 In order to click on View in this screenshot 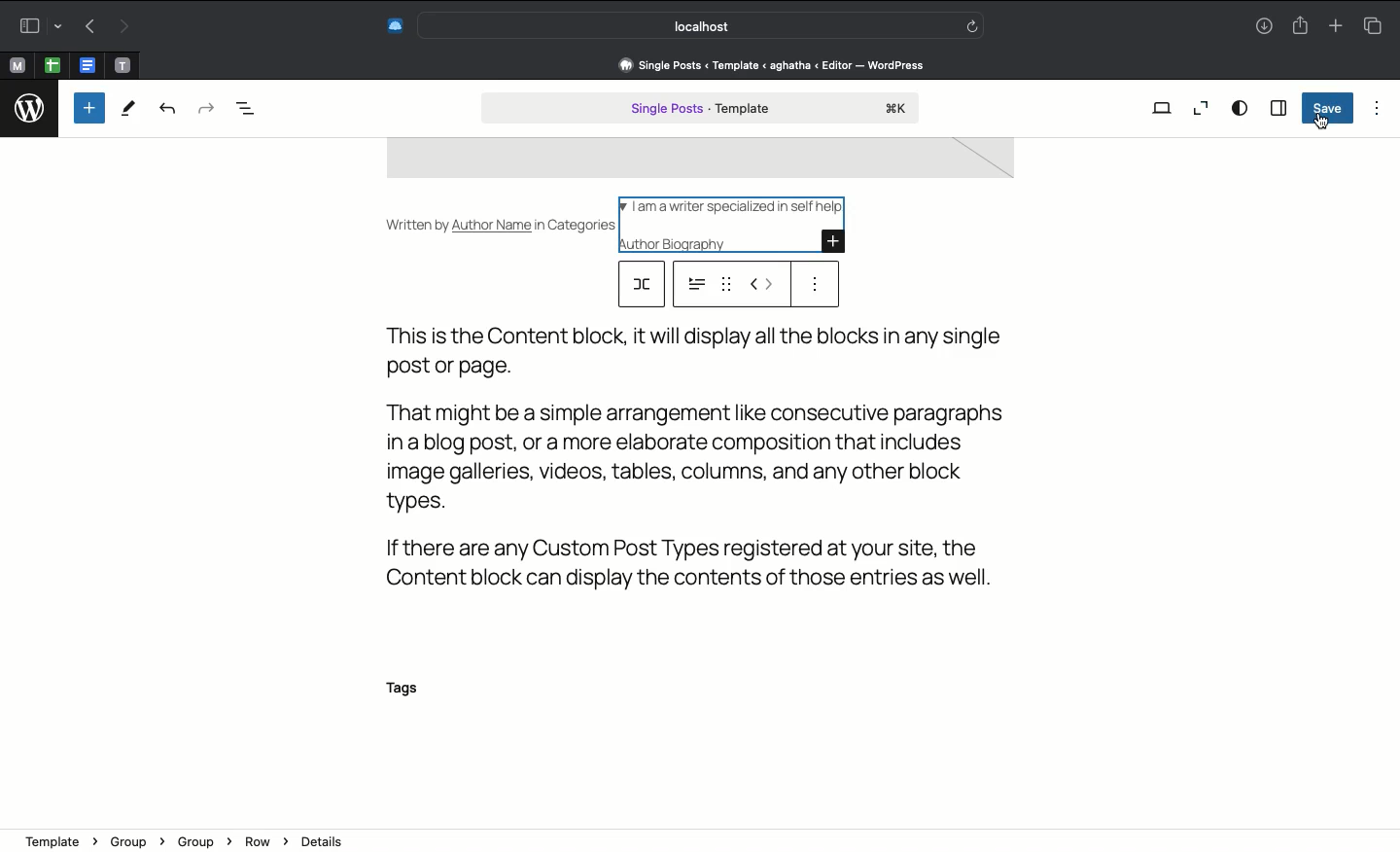, I will do `click(1163, 107)`.